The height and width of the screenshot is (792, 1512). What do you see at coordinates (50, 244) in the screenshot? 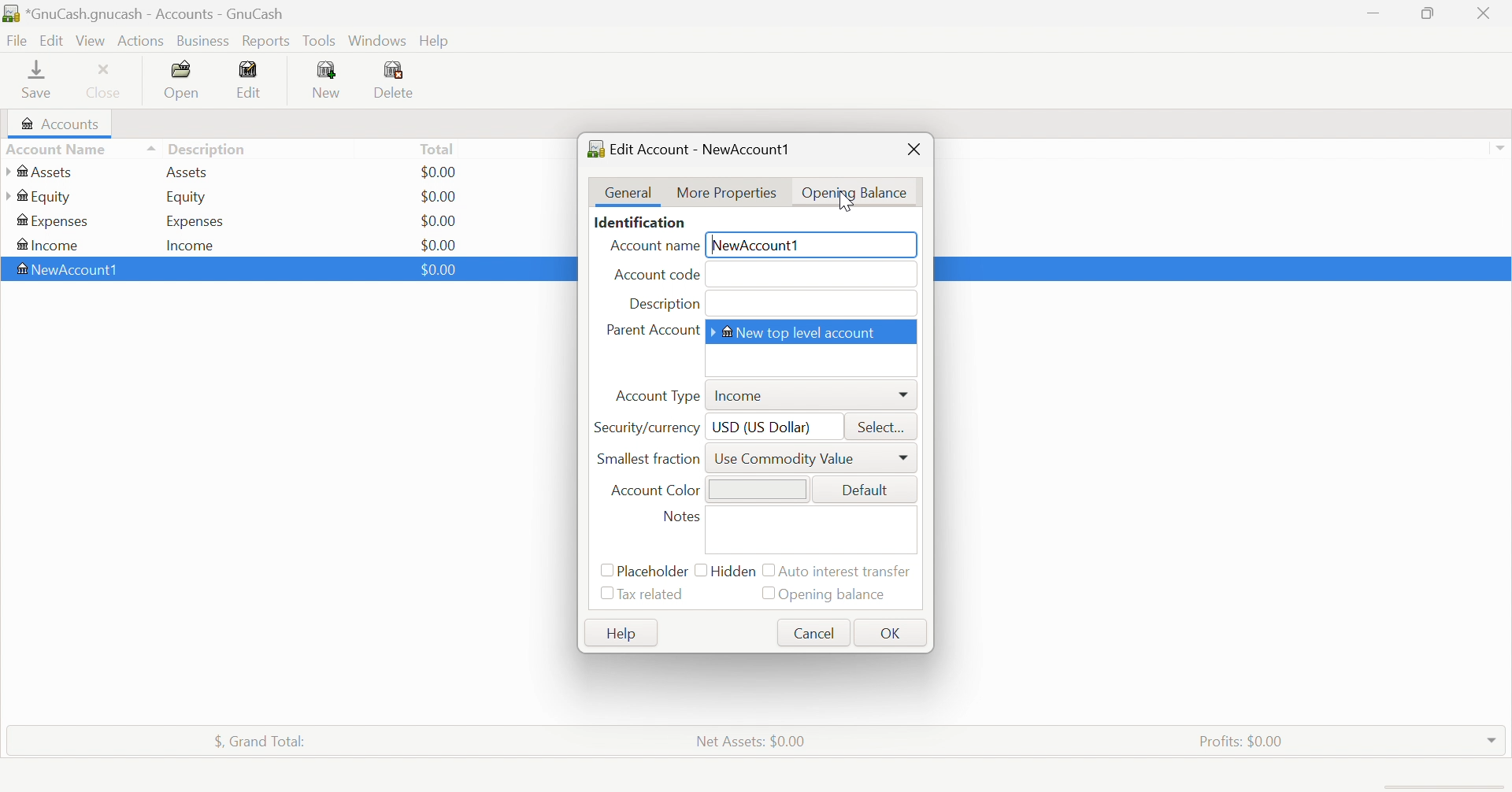
I see `Income` at bounding box center [50, 244].